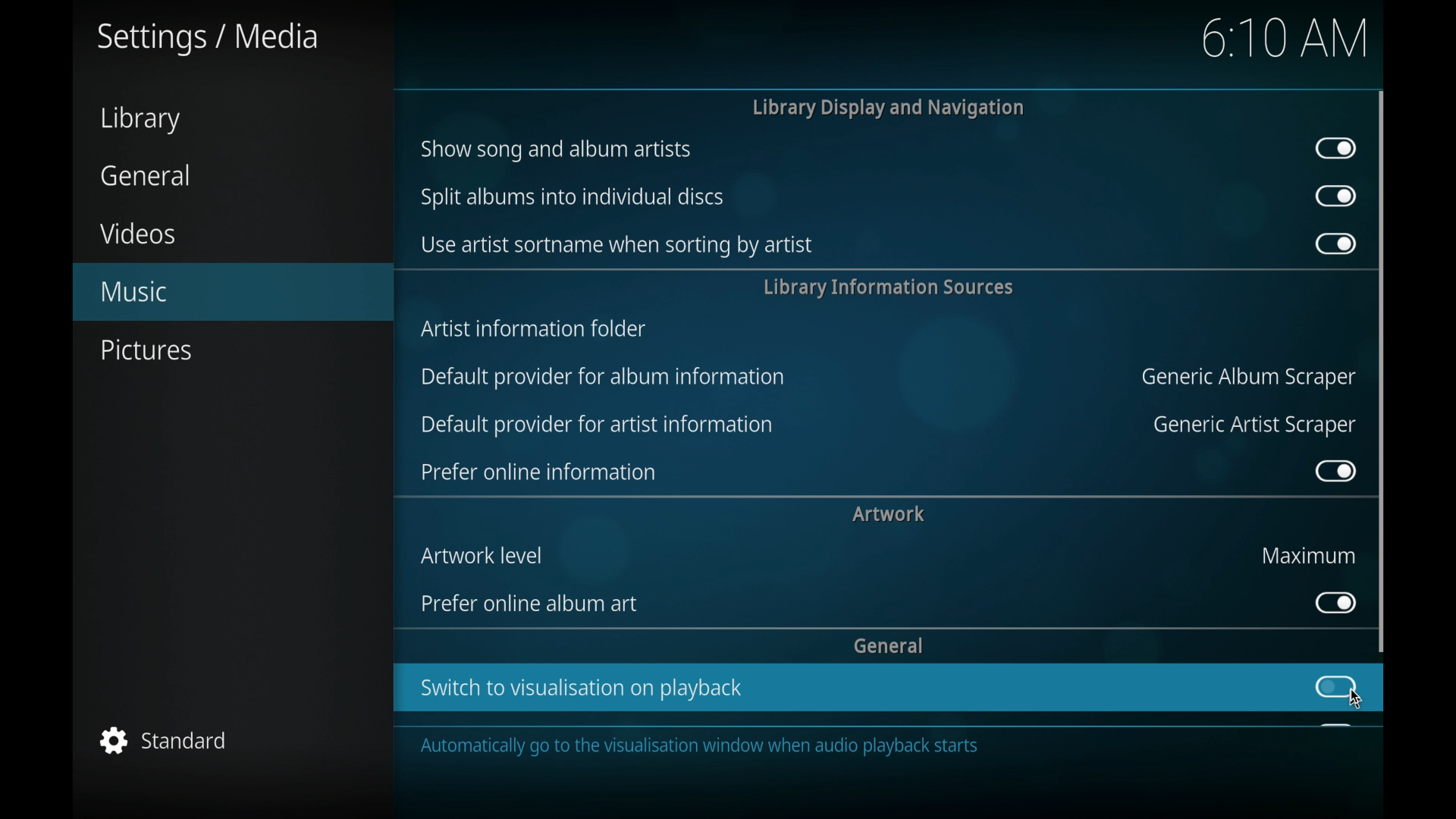  Describe the element at coordinates (136, 233) in the screenshot. I see `videos` at that location.